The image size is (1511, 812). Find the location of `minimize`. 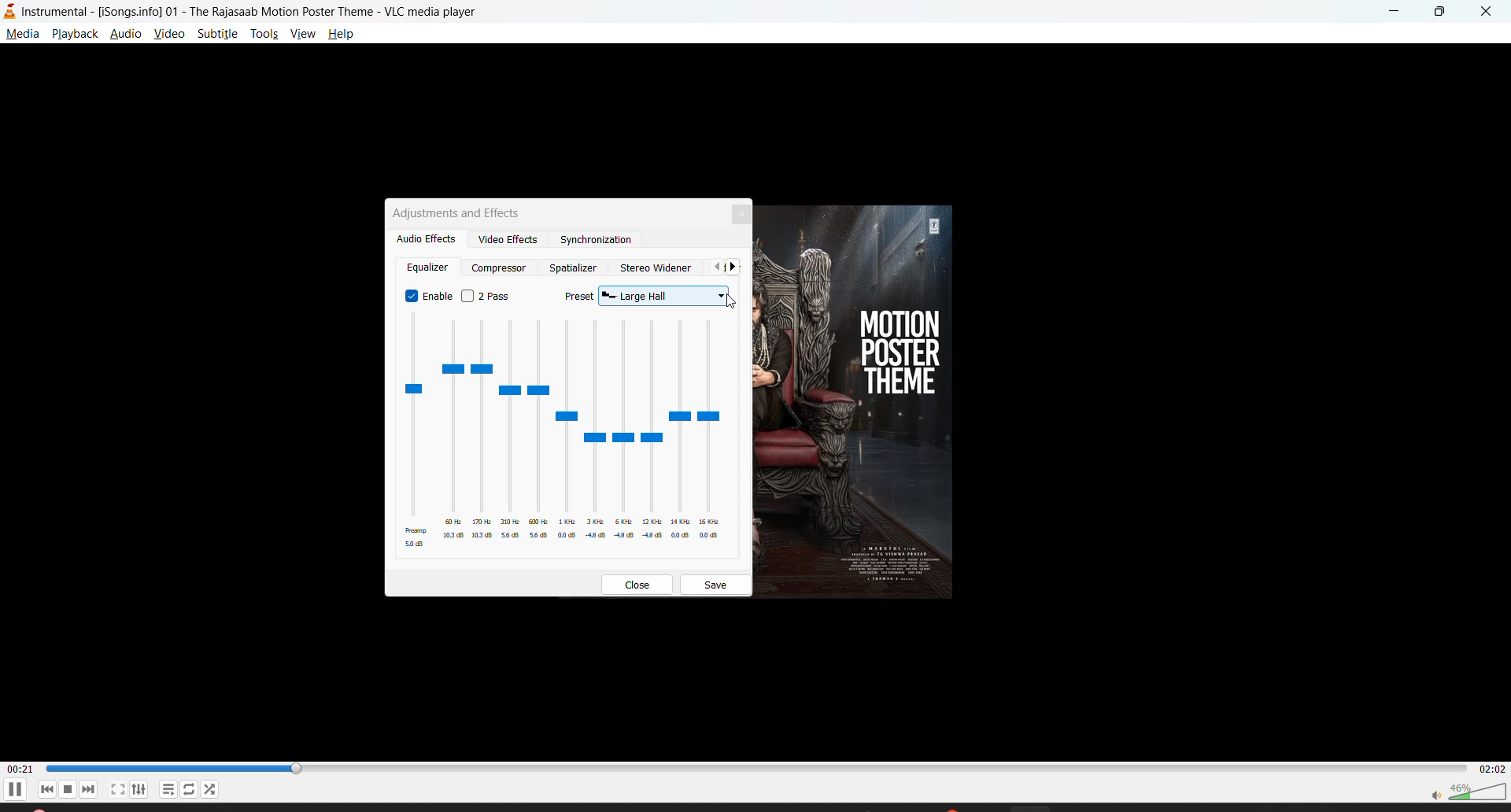

minimize is located at coordinates (1398, 11).